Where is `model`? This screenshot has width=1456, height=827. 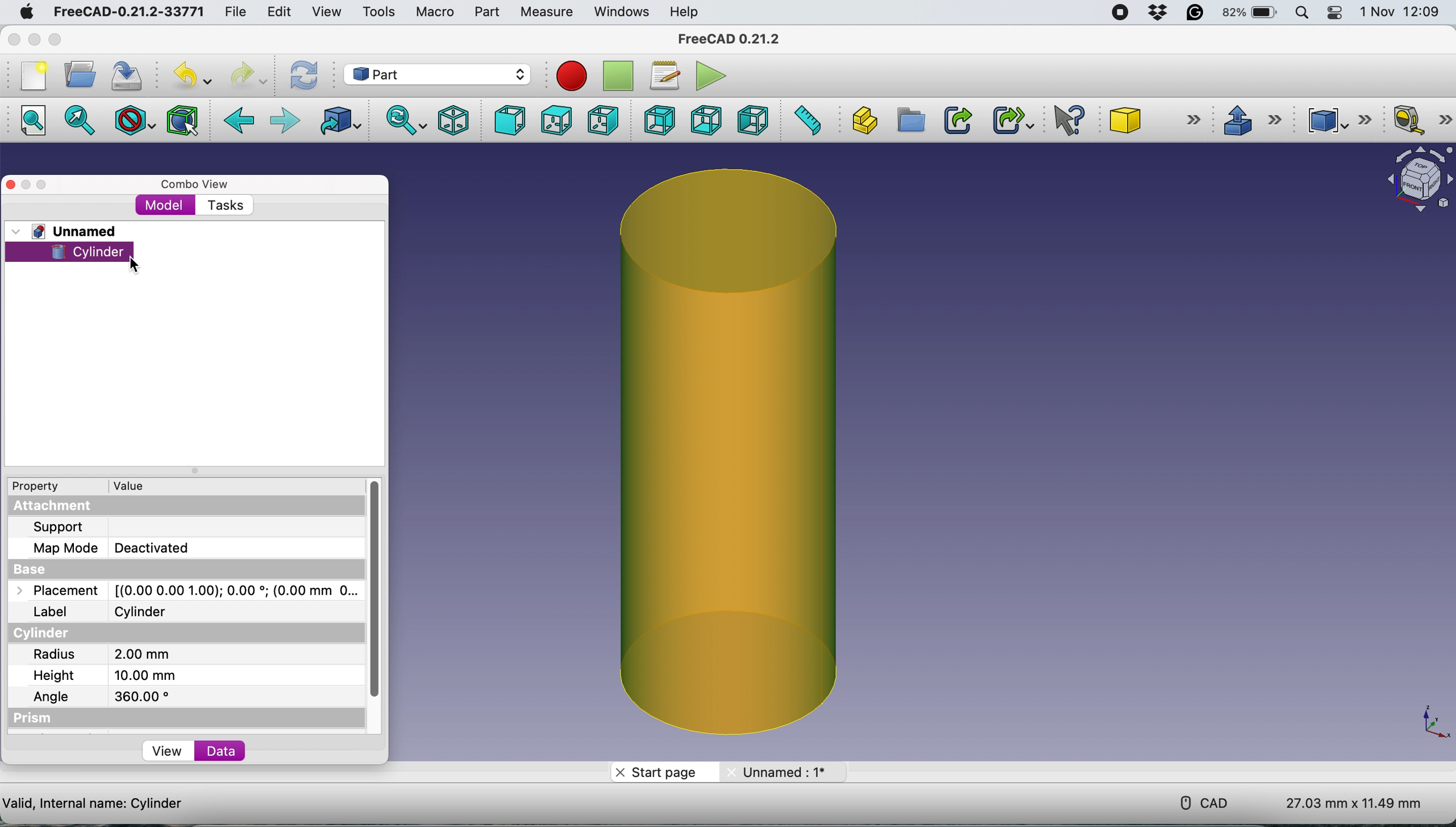 model is located at coordinates (165, 204).